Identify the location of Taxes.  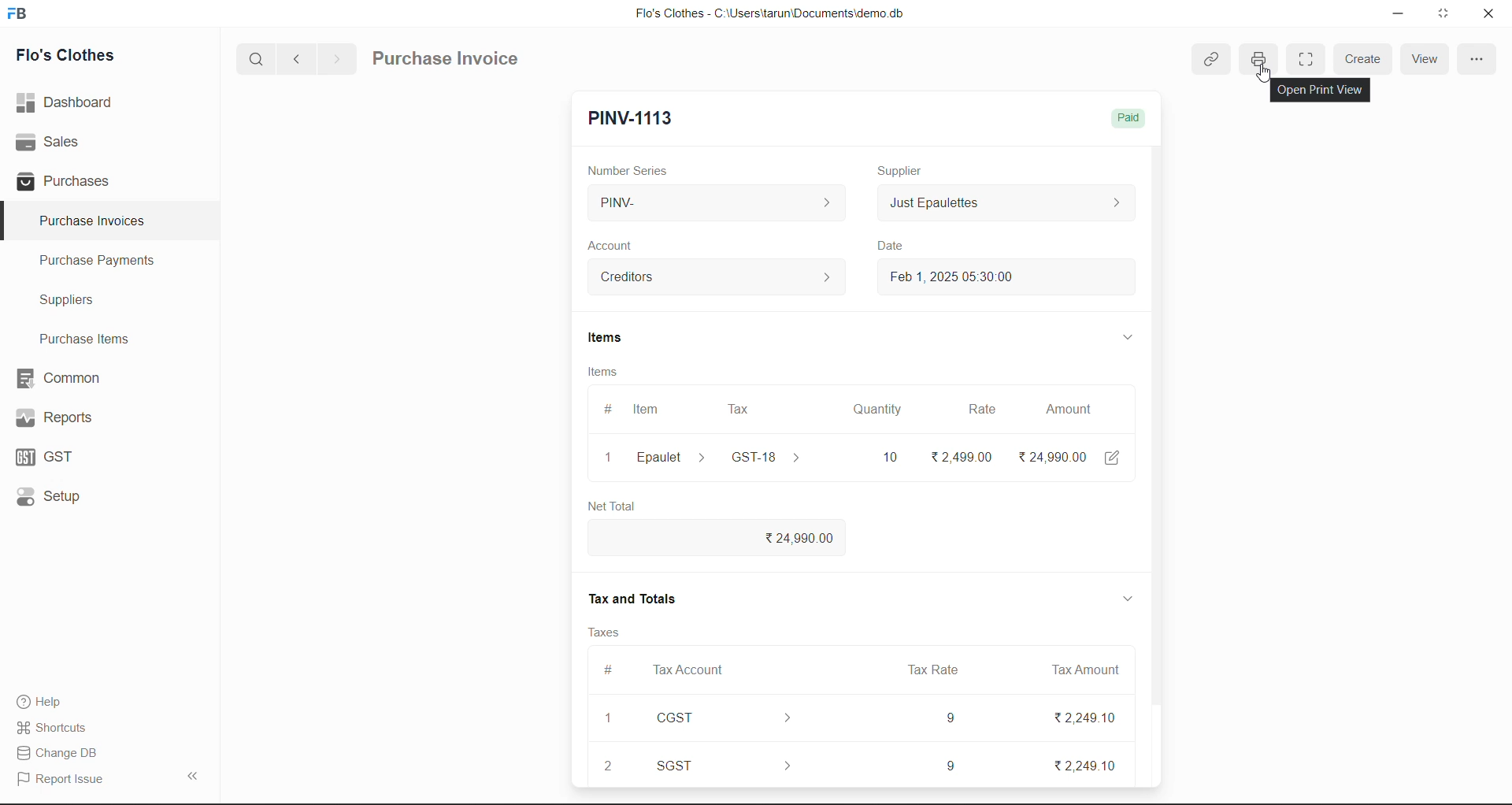
(600, 631).